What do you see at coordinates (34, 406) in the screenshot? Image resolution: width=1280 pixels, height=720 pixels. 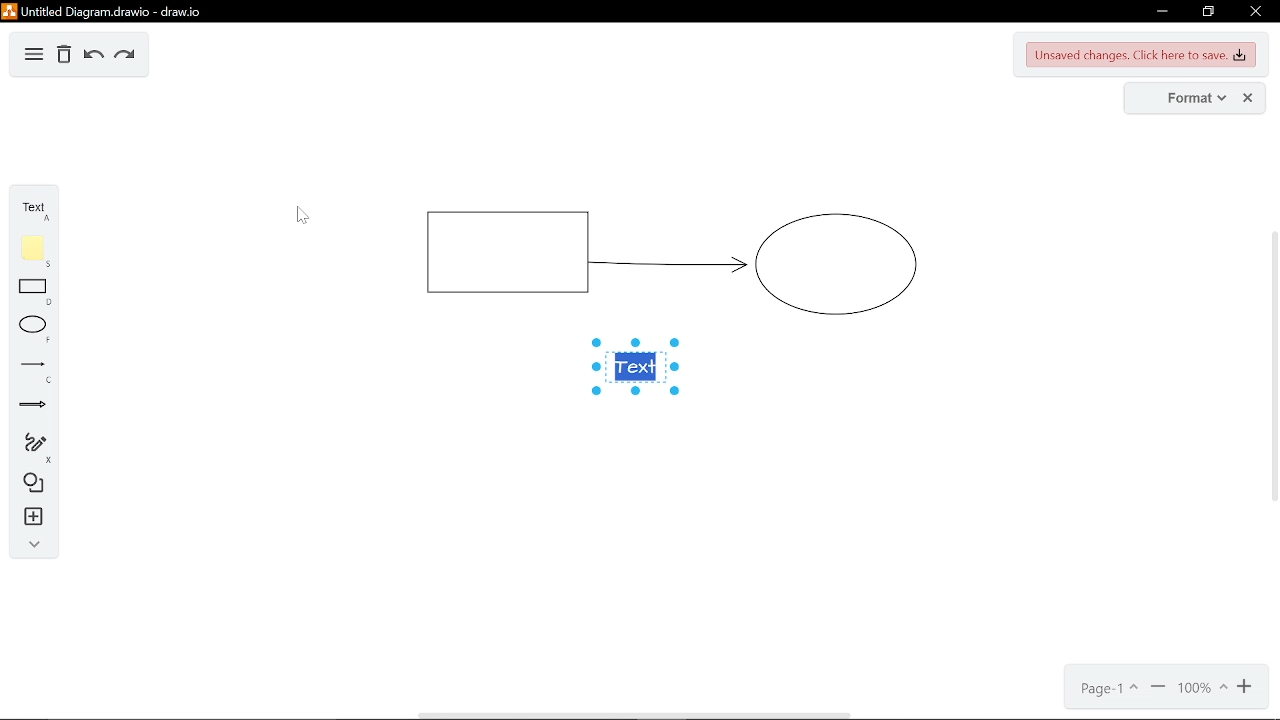 I see `arrows` at bounding box center [34, 406].